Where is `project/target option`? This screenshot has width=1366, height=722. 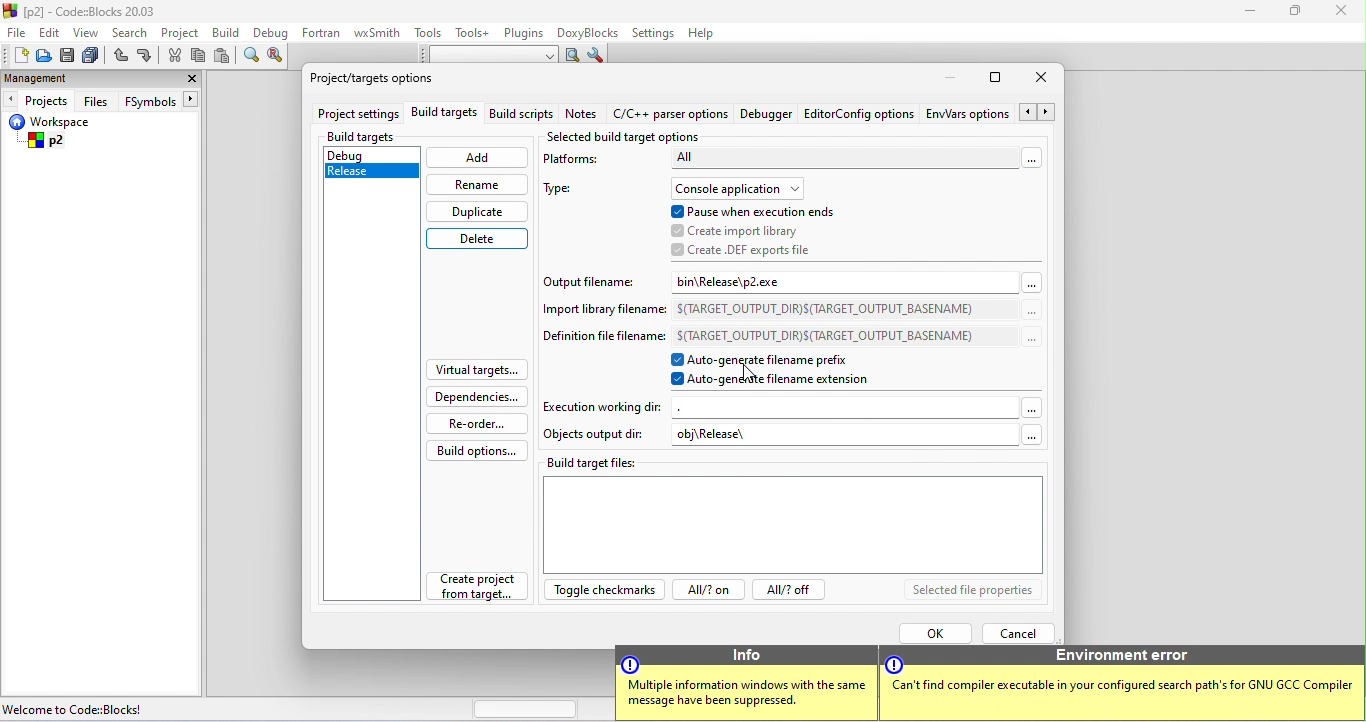
project/target option is located at coordinates (385, 82).